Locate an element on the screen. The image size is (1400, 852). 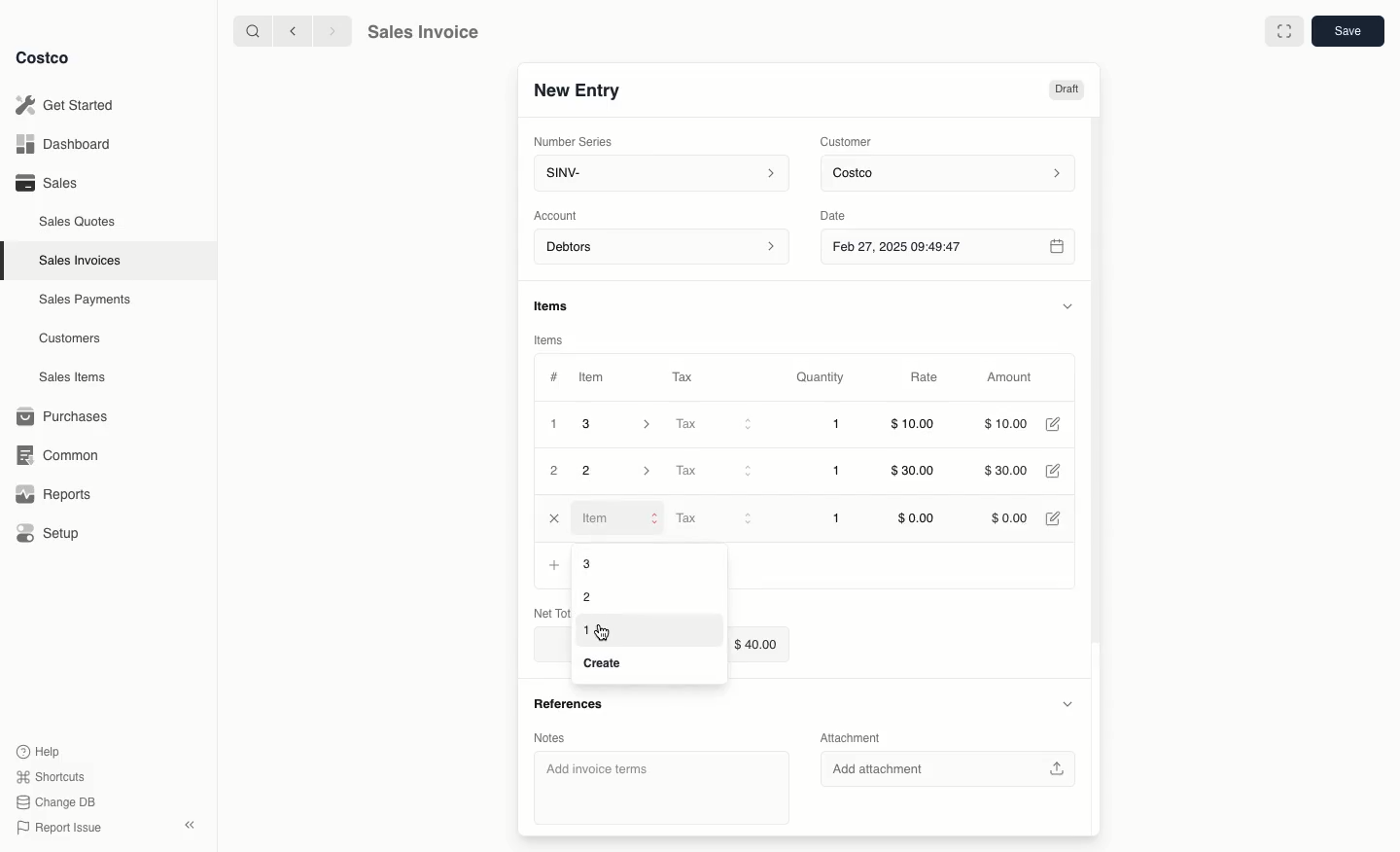
2 is located at coordinates (555, 472).